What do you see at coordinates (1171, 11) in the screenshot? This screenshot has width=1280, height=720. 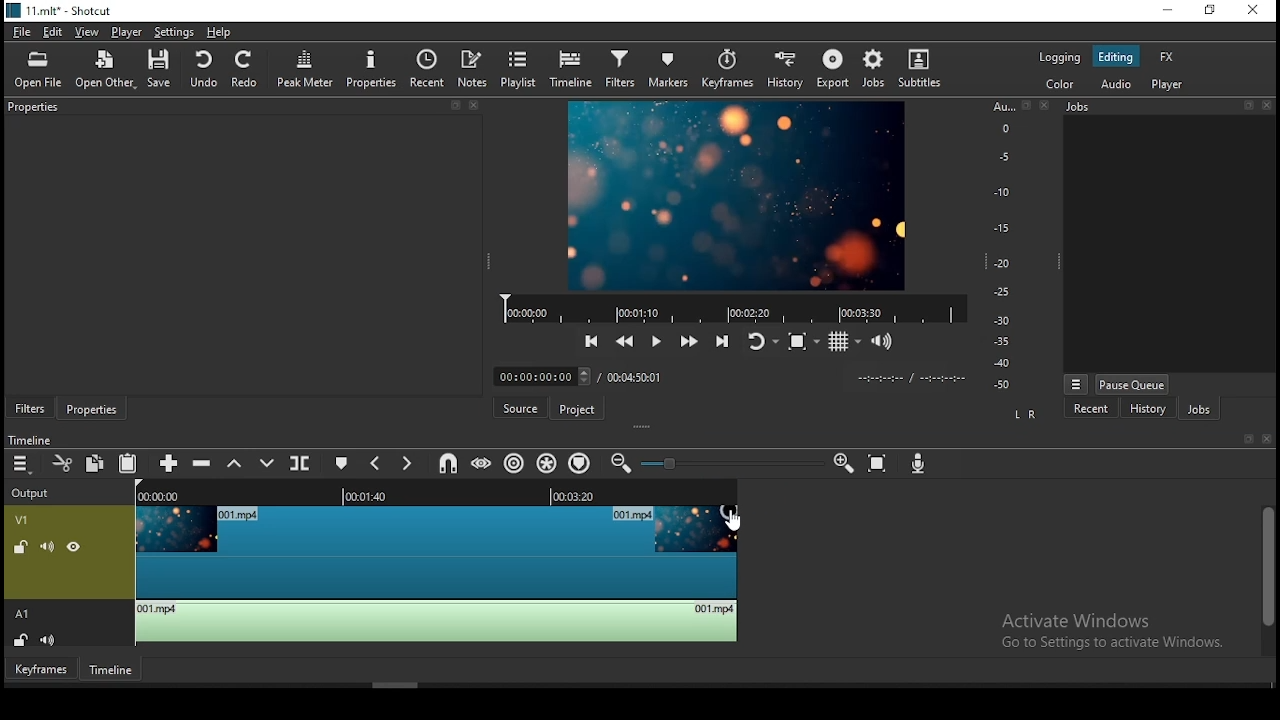 I see `minimize` at bounding box center [1171, 11].